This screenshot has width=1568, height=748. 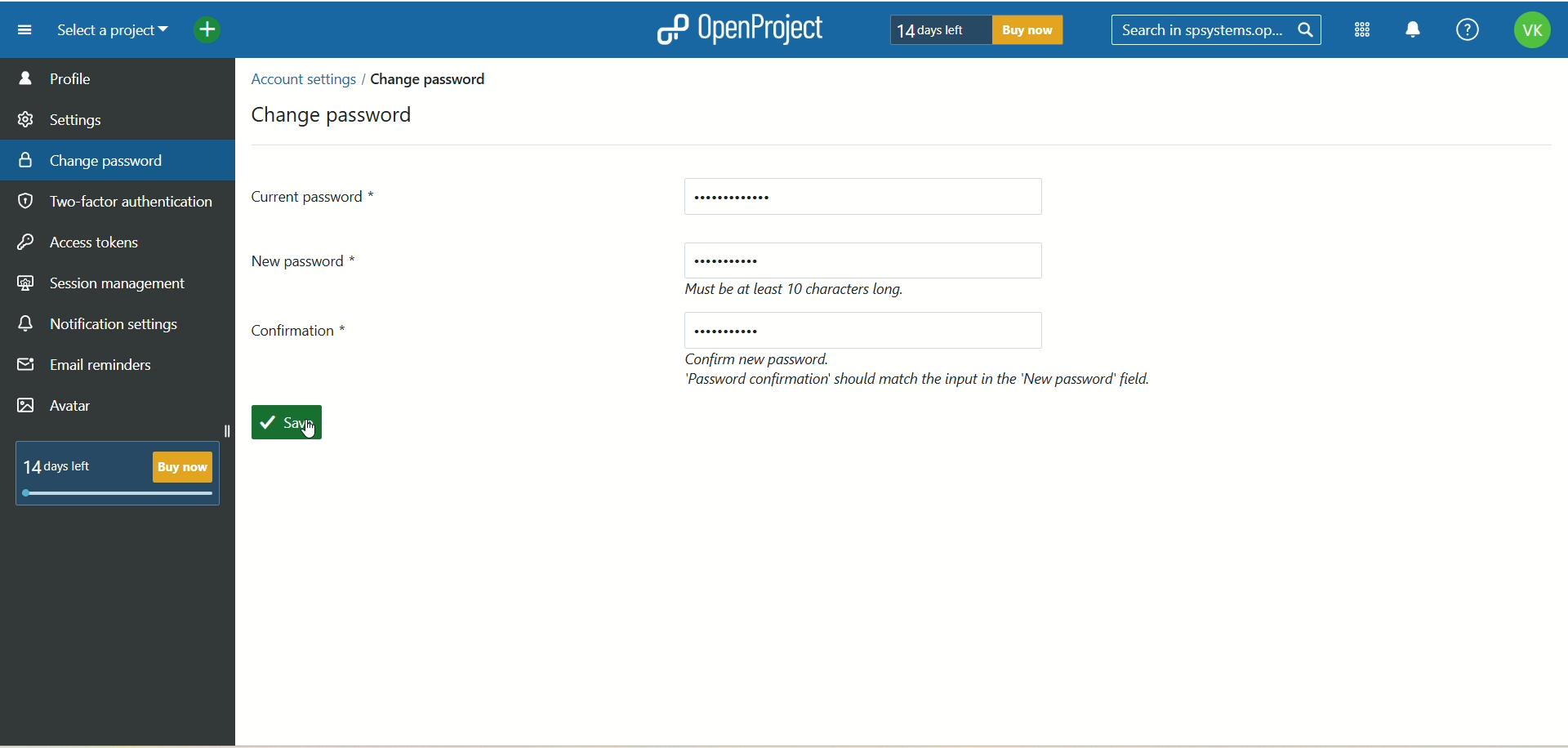 What do you see at coordinates (209, 32) in the screenshot?
I see `add menu` at bounding box center [209, 32].